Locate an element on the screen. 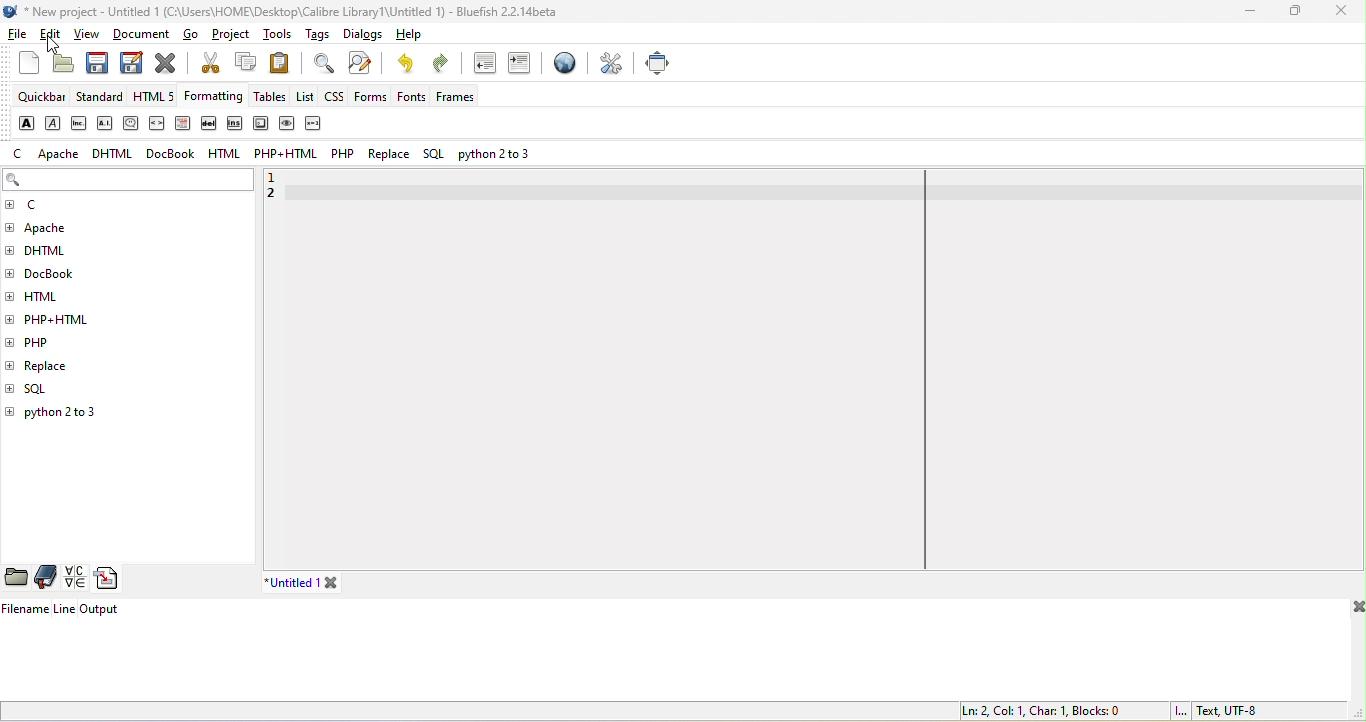 Image resolution: width=1366 pixels, height=722 pixels. replace is located at coordinates (79, 363).